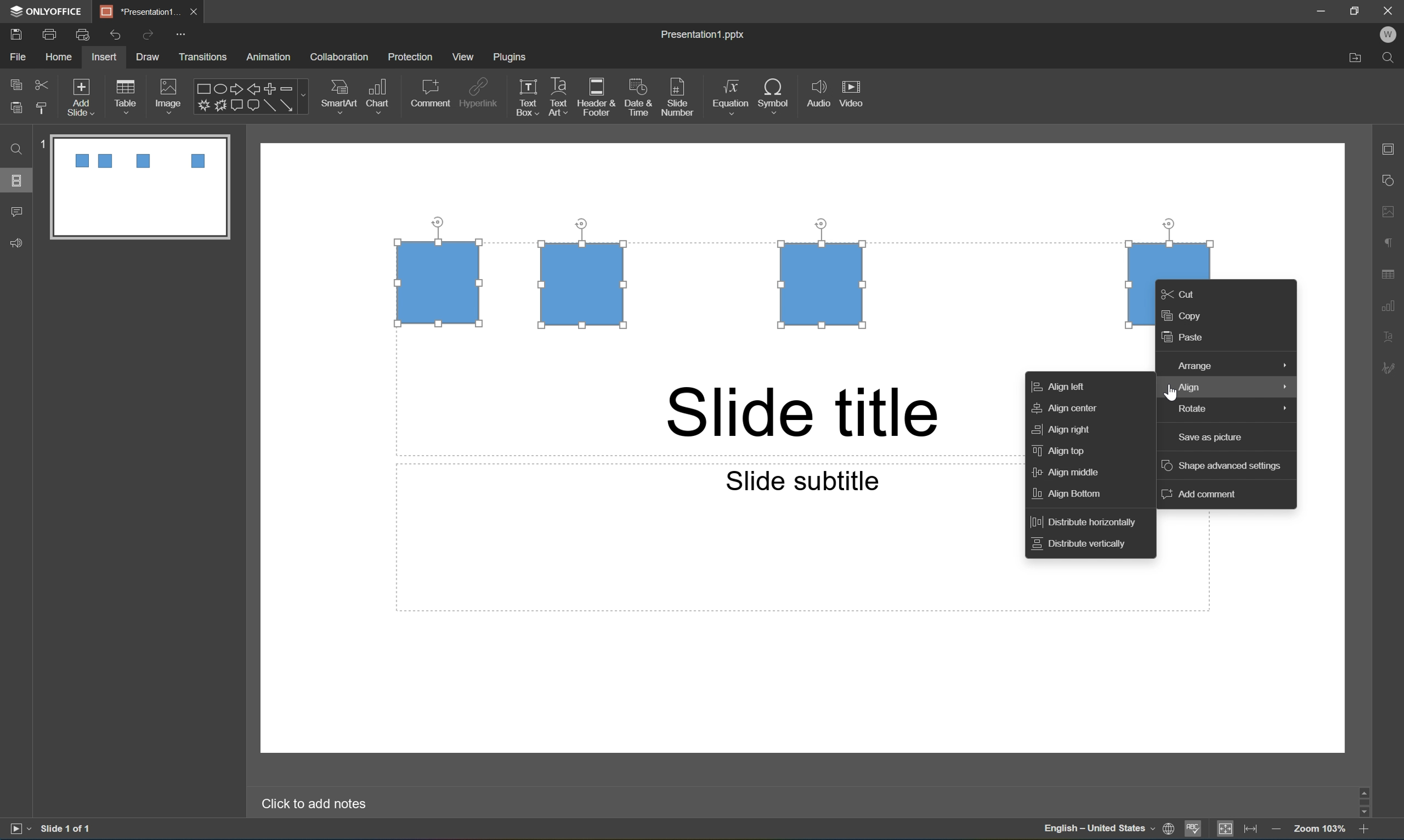  Describe the element at coordinates (130, 93) in the screenshot. I see `table` at that location.